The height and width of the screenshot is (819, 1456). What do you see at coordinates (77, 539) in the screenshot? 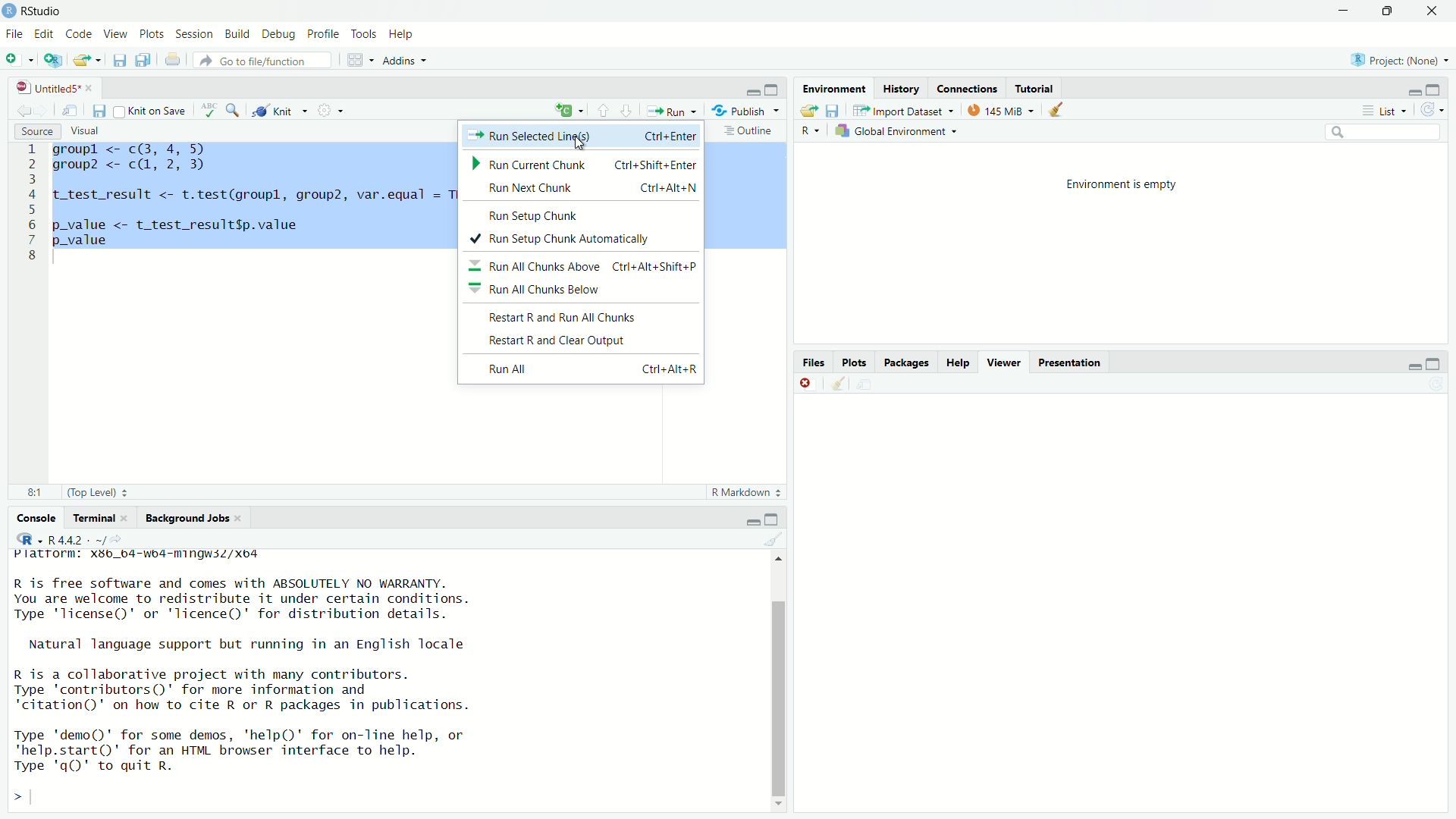
I see `R 4.4.2` at bounding box center [77, 539].